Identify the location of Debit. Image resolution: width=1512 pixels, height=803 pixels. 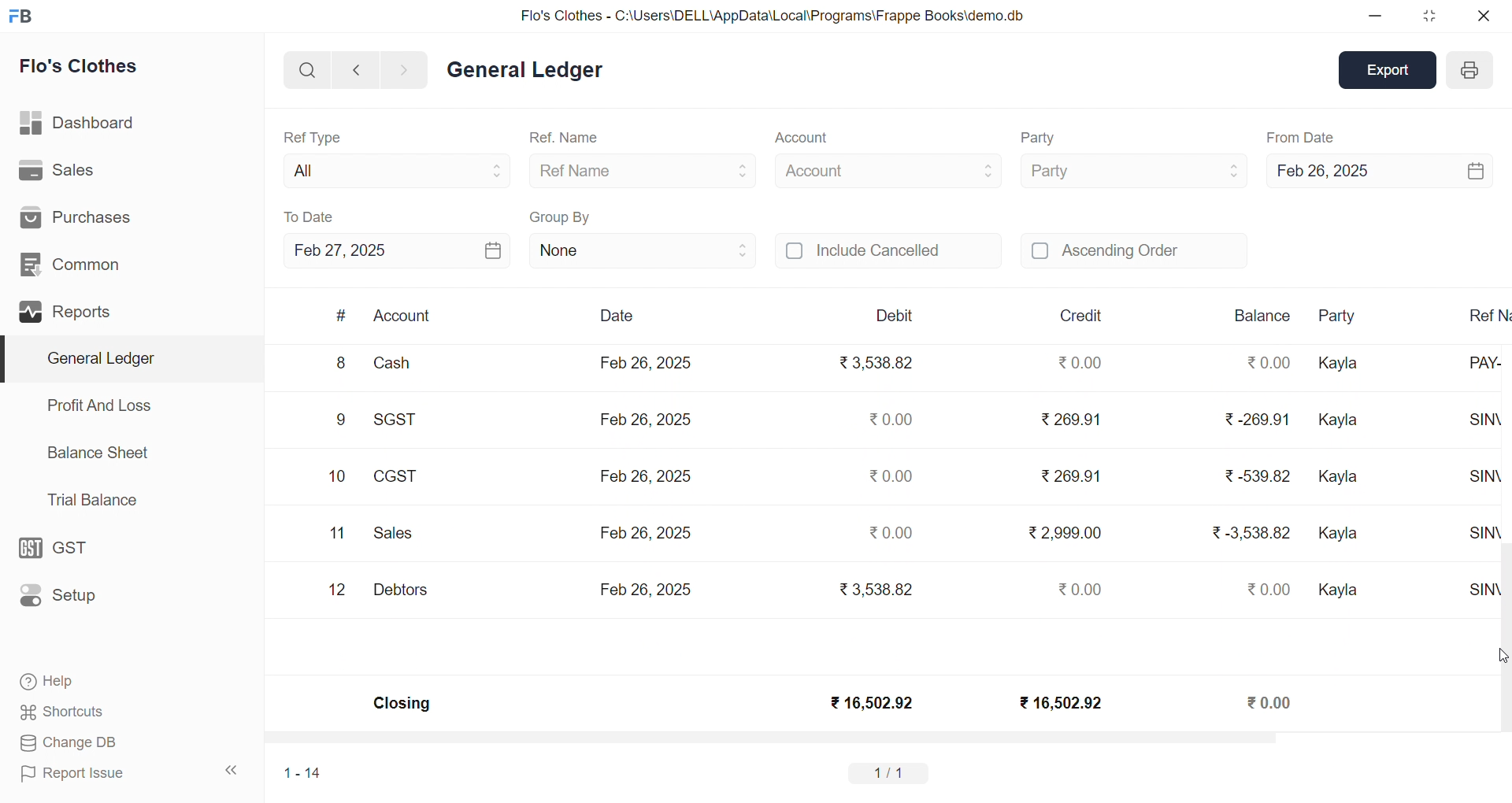
(895, 315).